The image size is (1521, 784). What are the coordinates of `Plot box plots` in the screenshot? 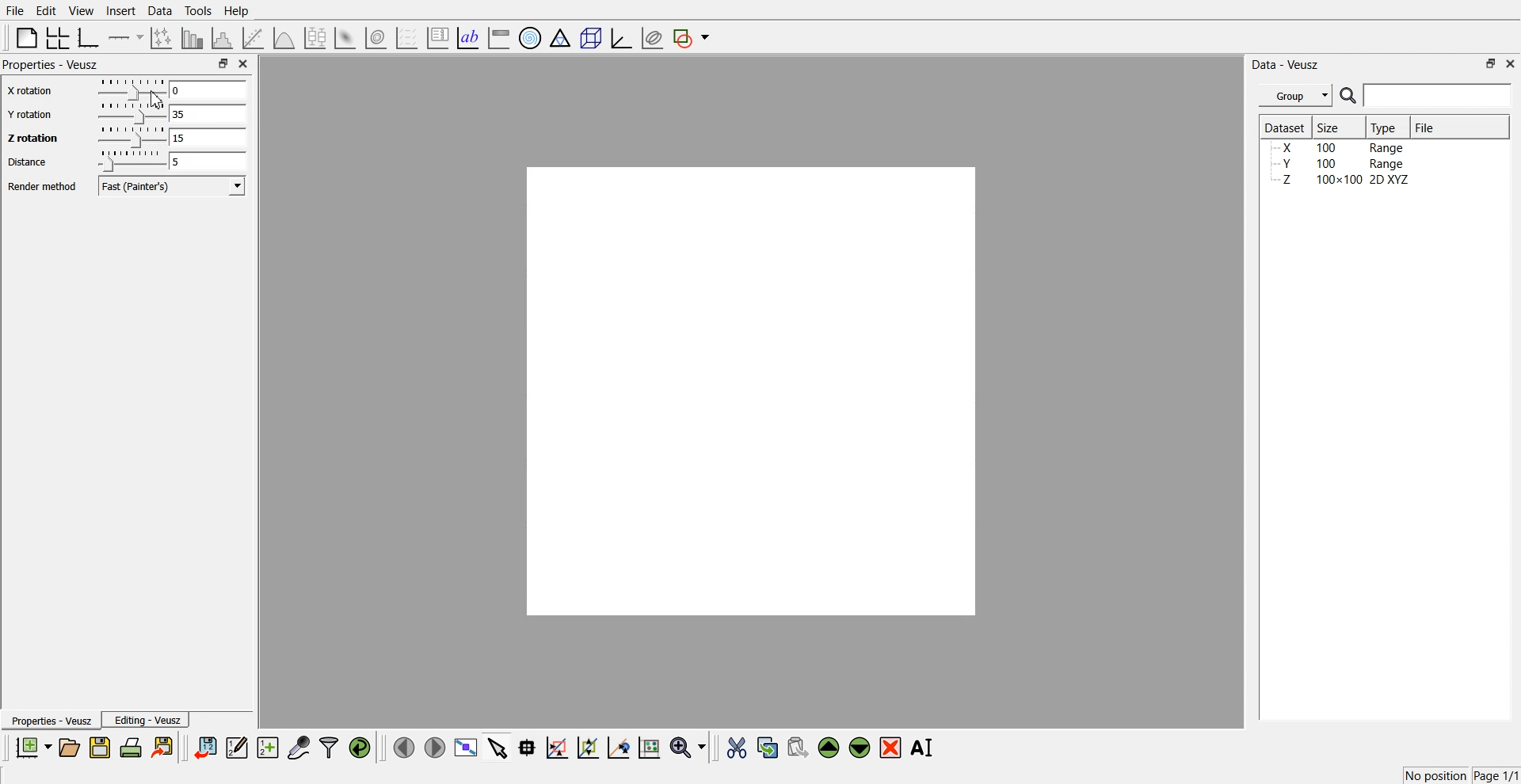 It's located at (315, 38).